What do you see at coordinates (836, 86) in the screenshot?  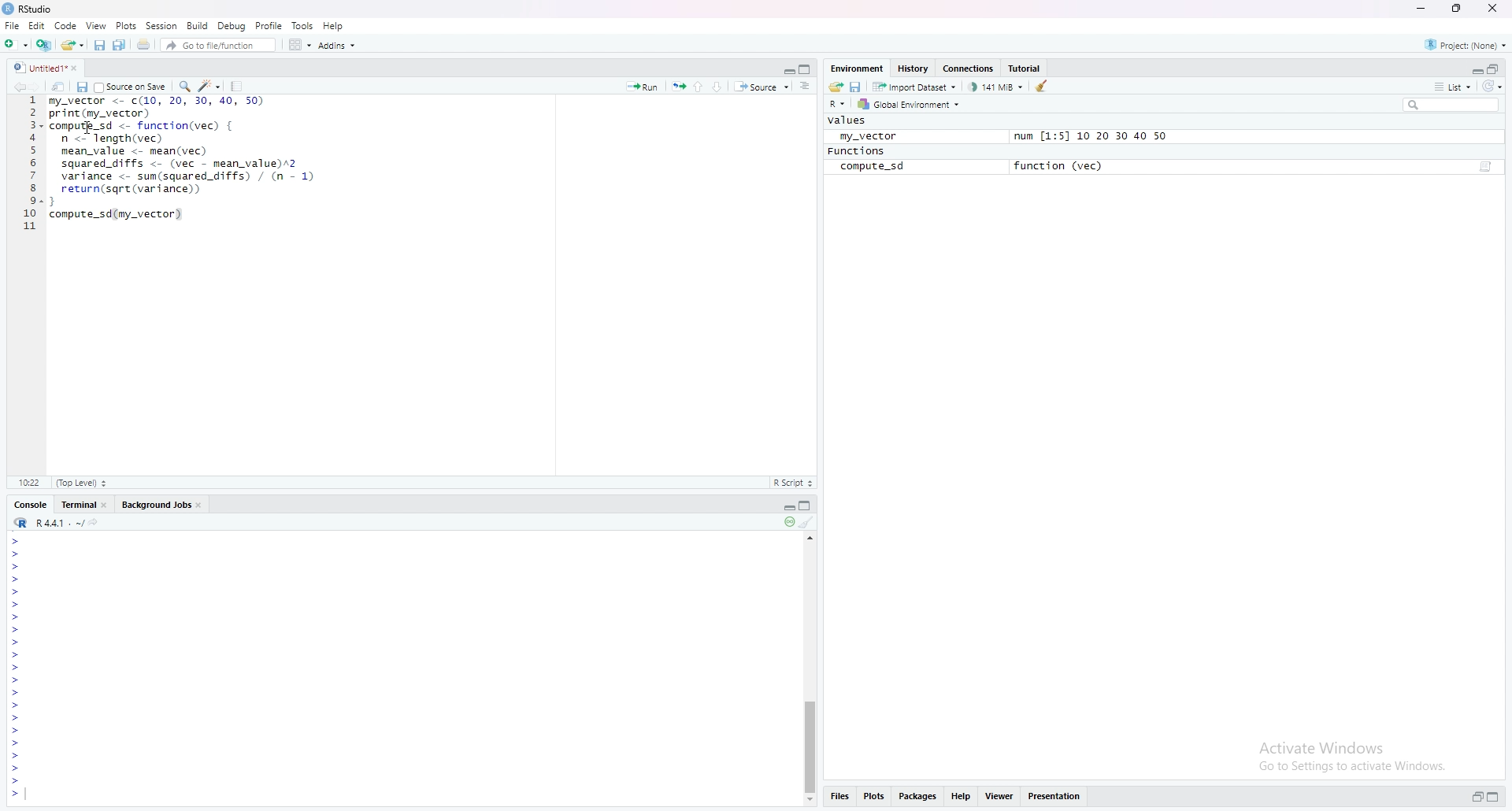 I see `Load workspace` at bounding box center [836, 86].